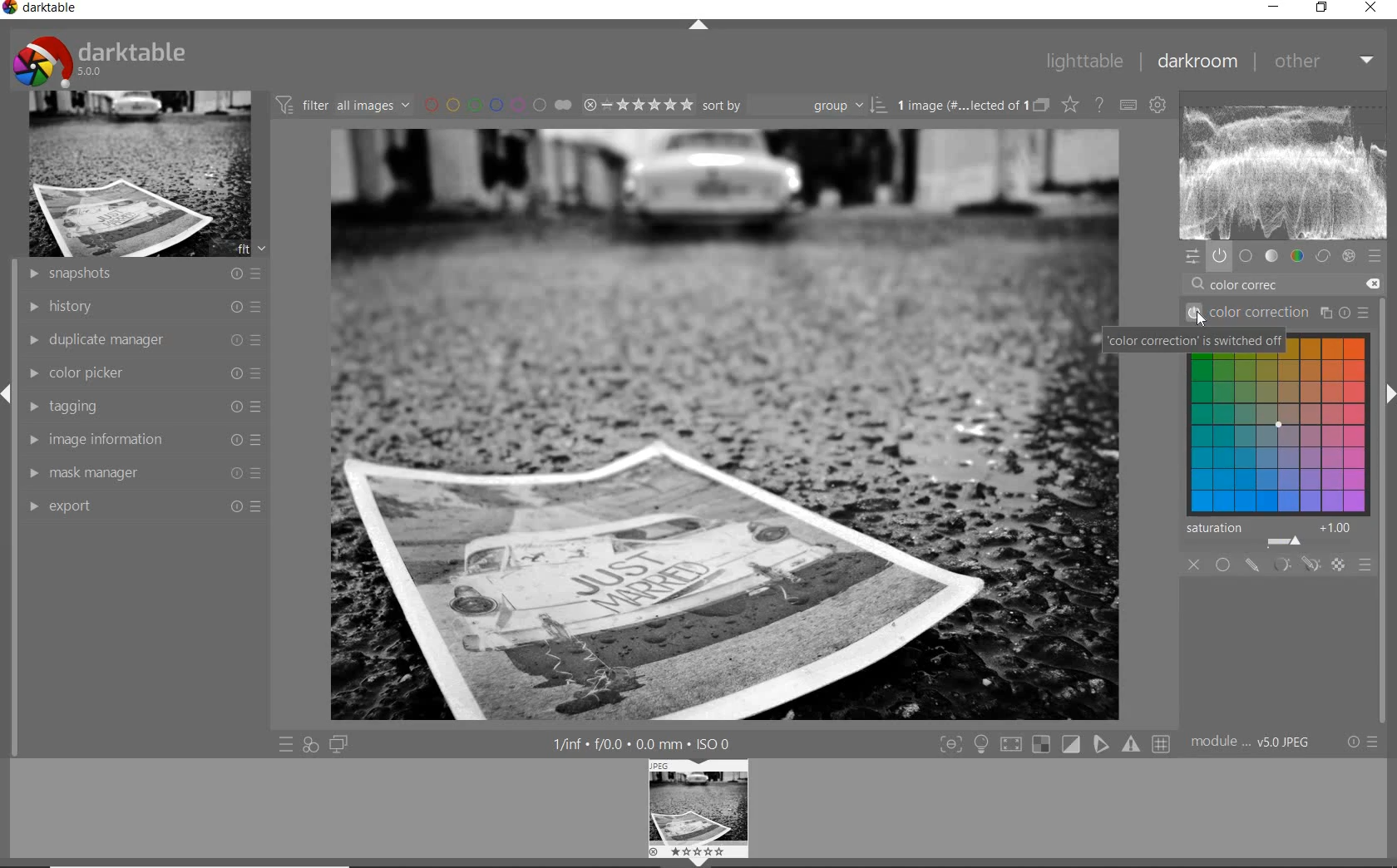 The height and width of the screenshot is (868, 1397). What do you see at coordinates (1375, 257) in the screenshot?
I see `preset ` at bounding box center [1375, 257].